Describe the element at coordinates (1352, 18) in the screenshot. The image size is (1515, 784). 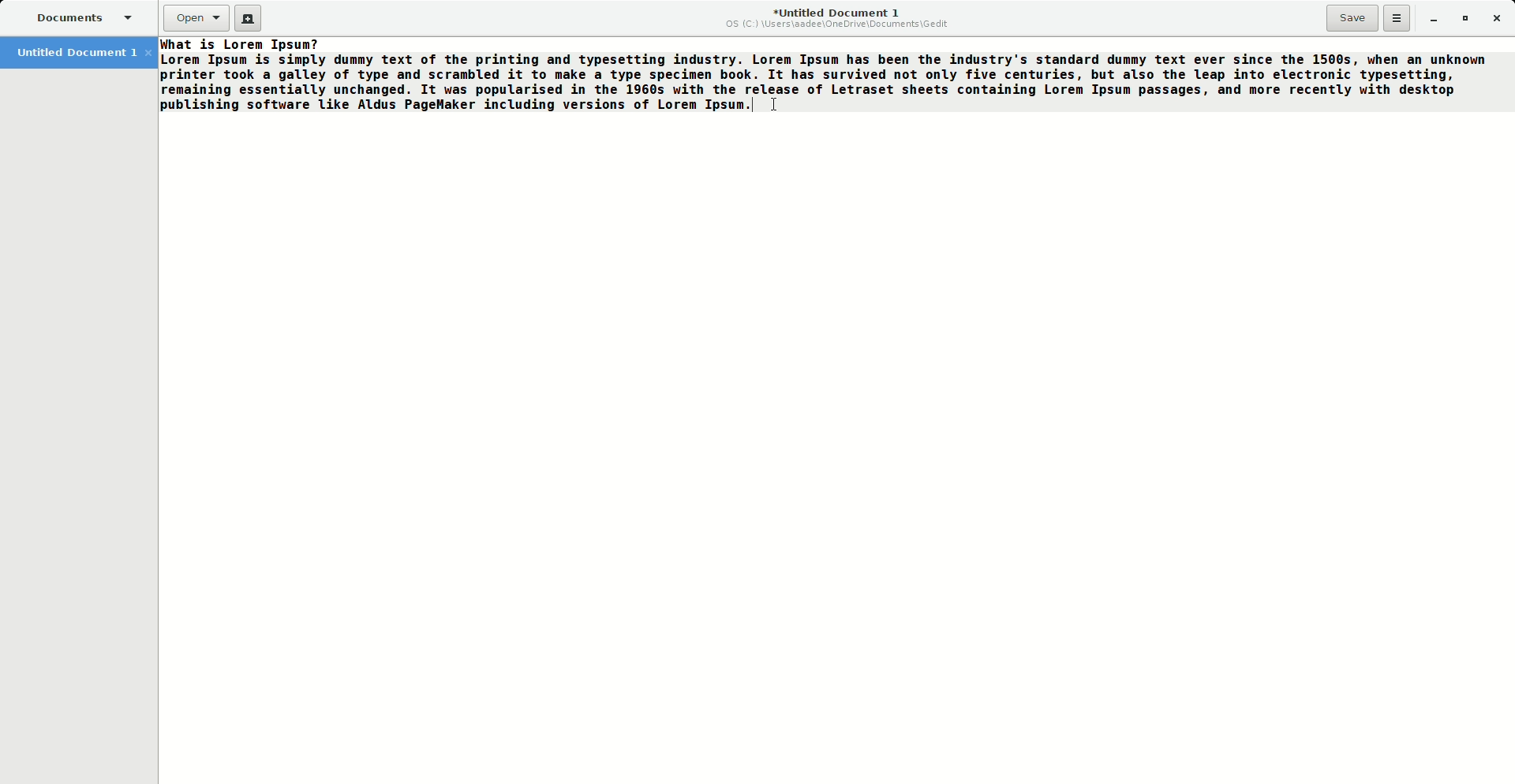
I see `Save` at that location.